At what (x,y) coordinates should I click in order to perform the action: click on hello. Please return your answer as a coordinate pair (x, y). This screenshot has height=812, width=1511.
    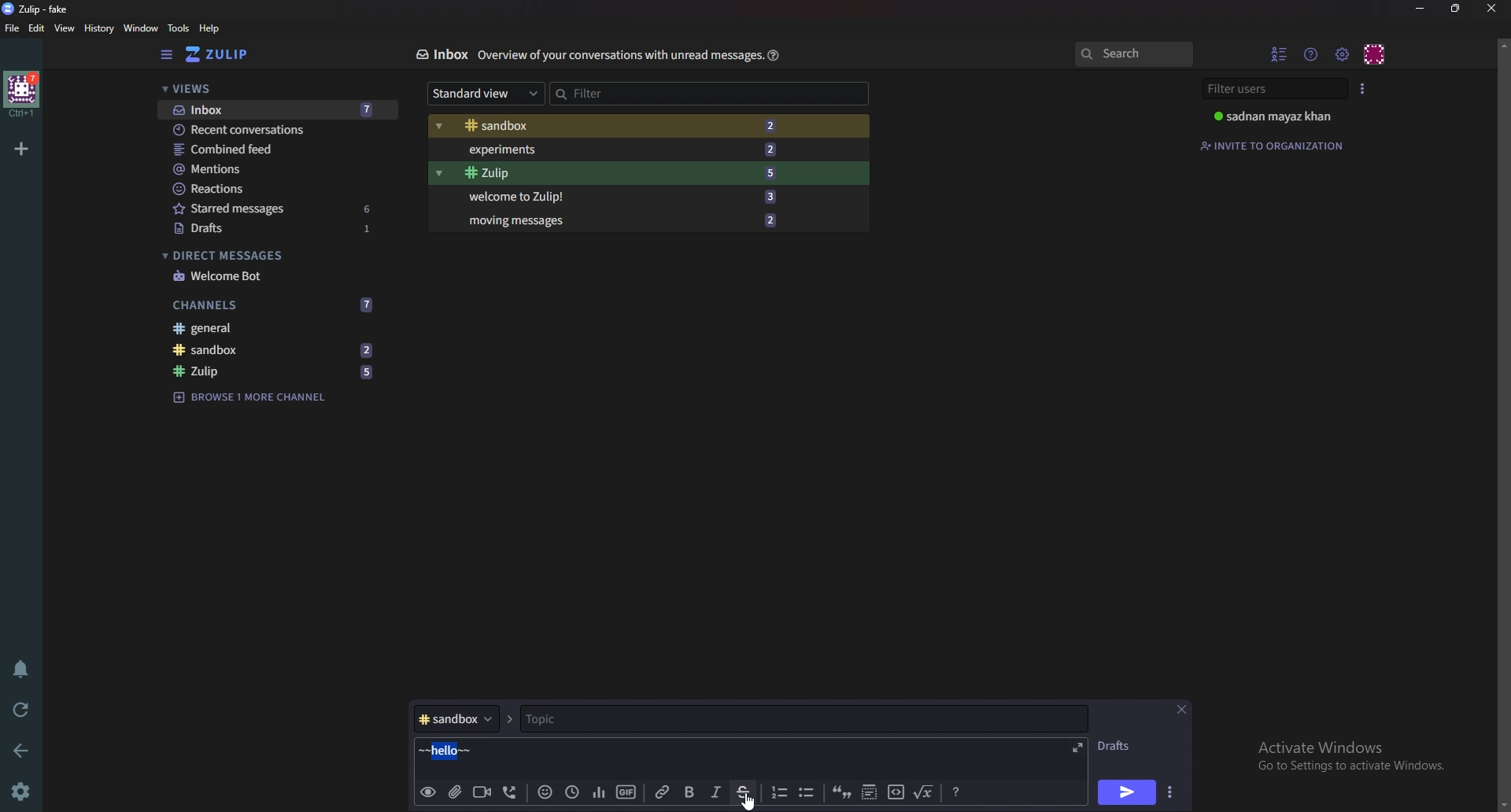
    Looking at the image, I should click on (450, 751).